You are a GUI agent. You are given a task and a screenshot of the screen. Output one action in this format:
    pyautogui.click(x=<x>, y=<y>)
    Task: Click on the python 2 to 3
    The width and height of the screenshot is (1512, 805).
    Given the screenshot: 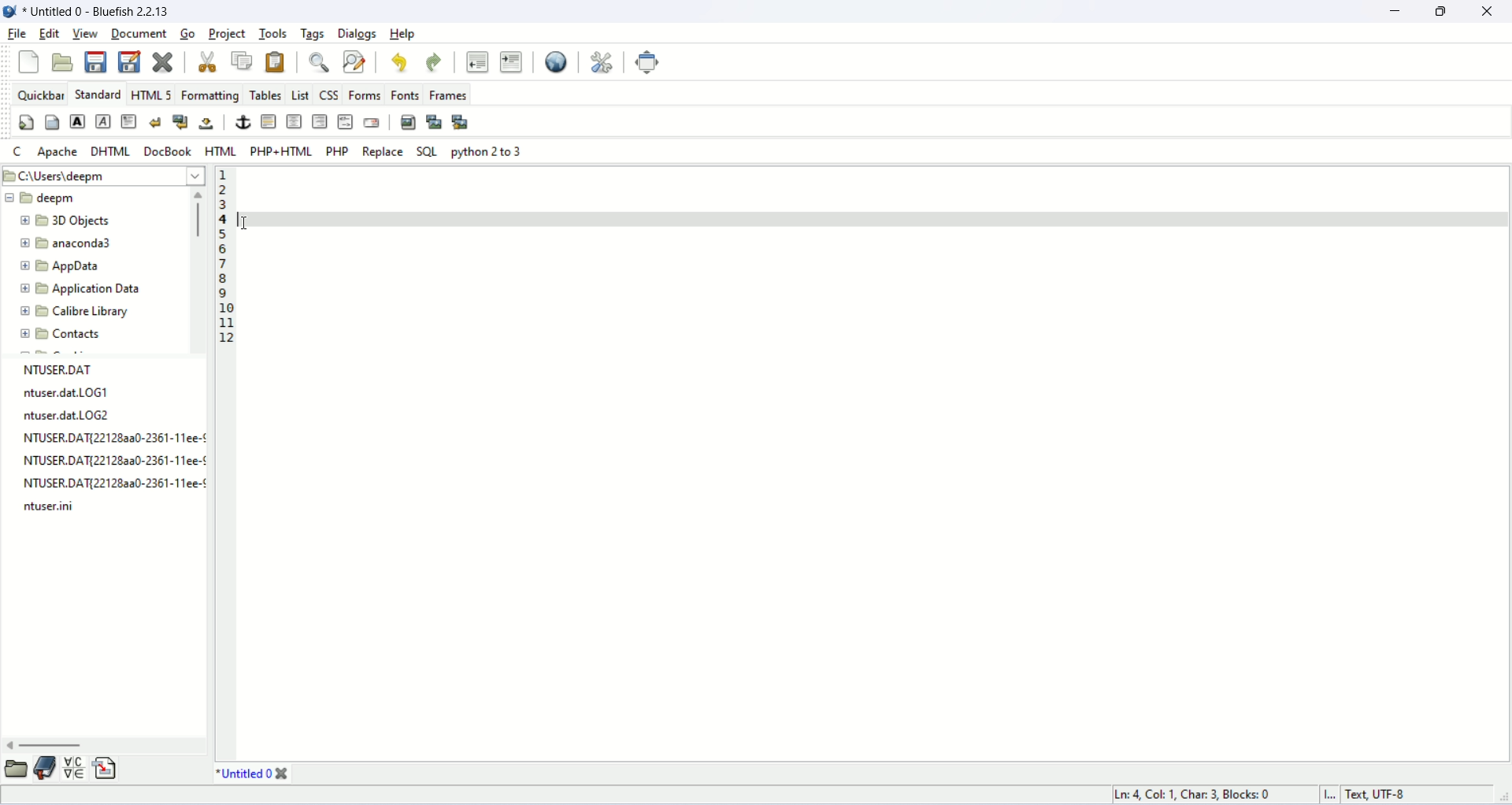 What is the action you would take?
    pyautogui.click(x=493, y=153)
    